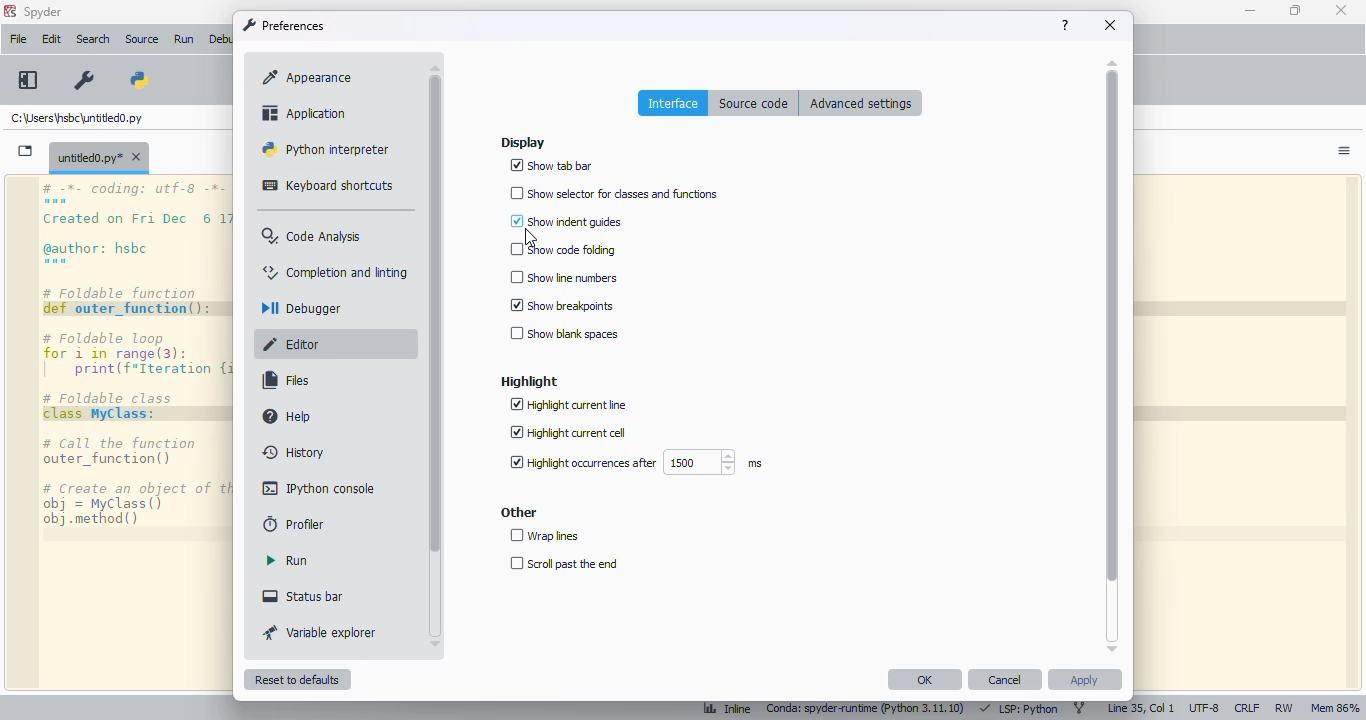  I want to click on source, so click(141, 39).